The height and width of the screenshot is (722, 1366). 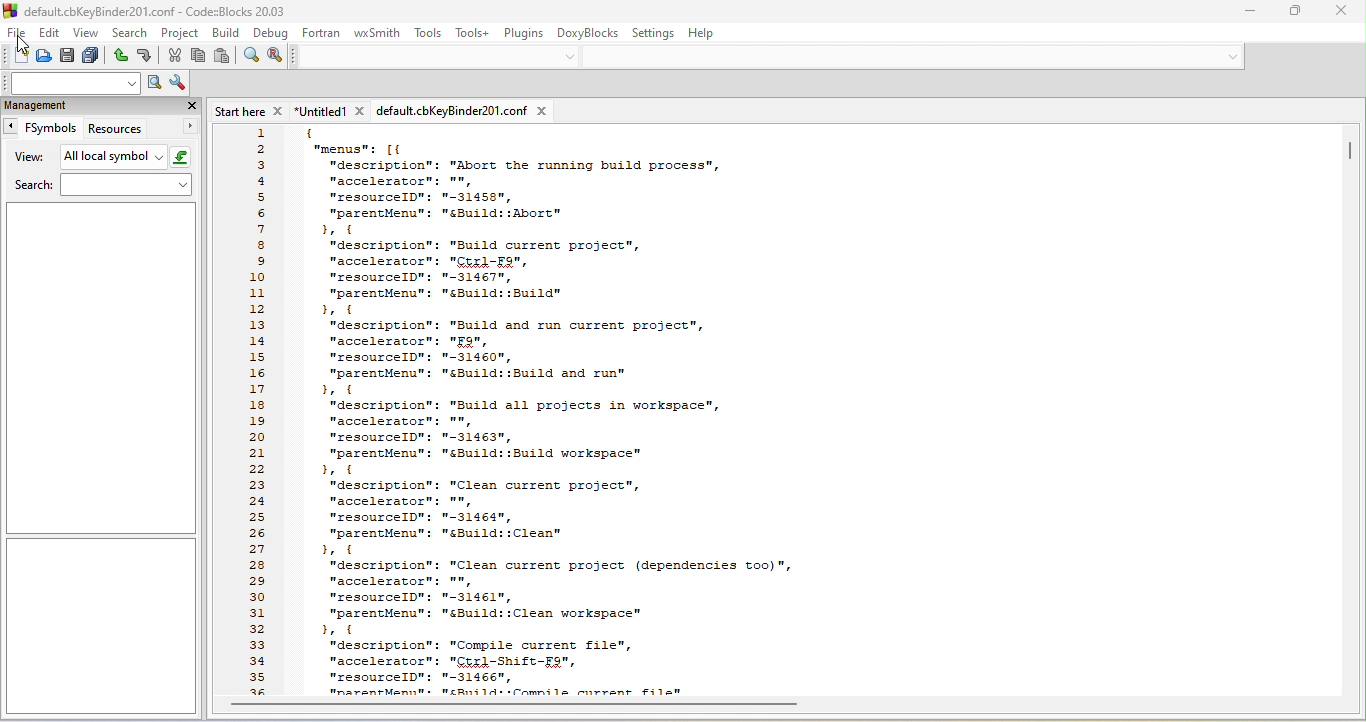 I want to click on build, so click(x=228, y=31).